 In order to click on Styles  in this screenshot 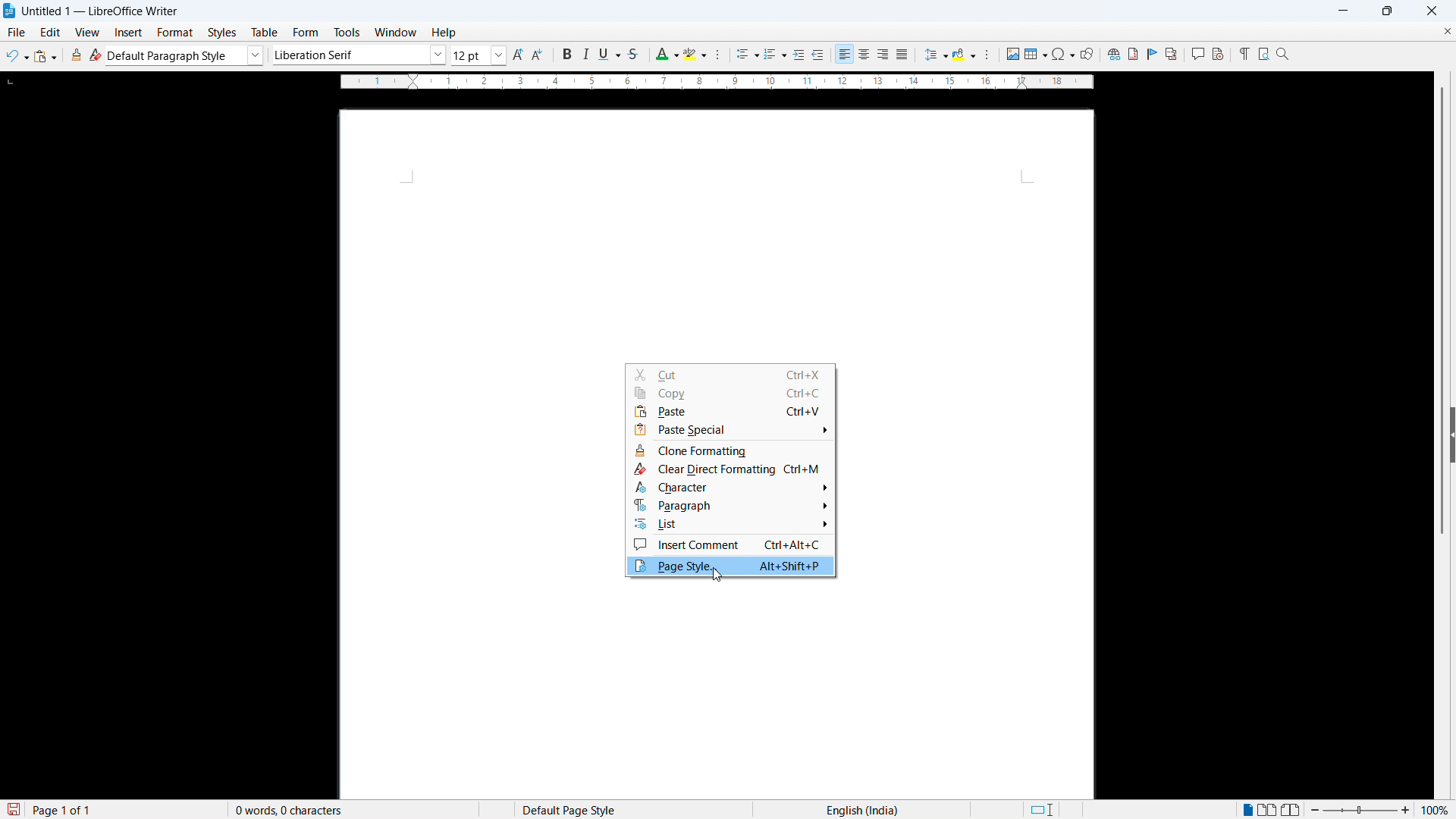, I will do `click(224, 33)`.